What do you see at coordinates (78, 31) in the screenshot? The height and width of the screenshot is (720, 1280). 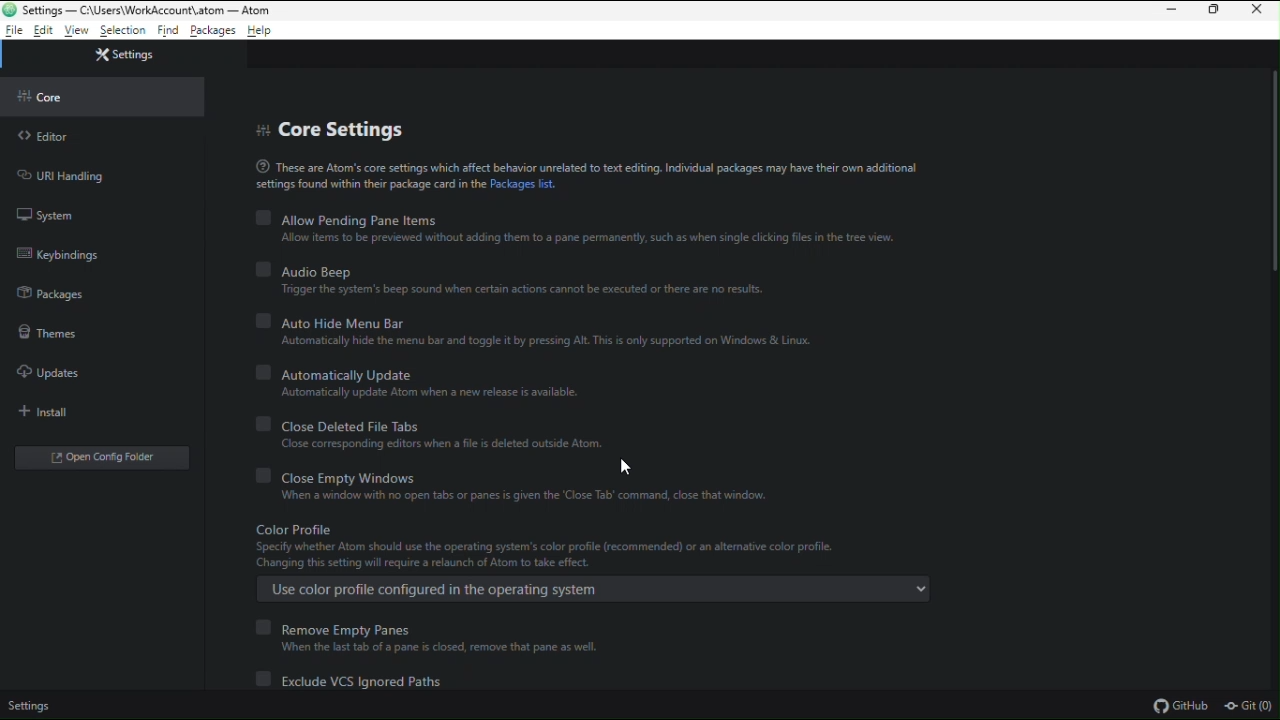 I see `View` at bounding box center [78, 31].